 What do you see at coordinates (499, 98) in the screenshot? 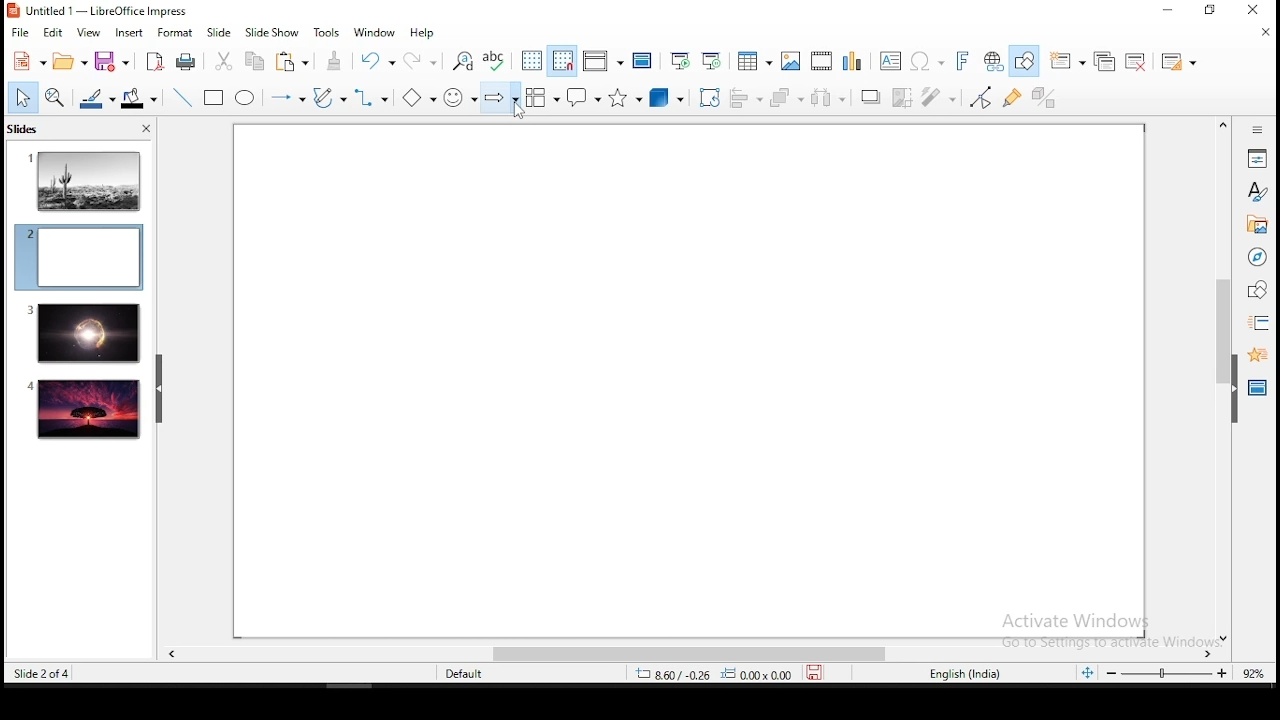
I see `block arrows` at bounding box center [499, 98].